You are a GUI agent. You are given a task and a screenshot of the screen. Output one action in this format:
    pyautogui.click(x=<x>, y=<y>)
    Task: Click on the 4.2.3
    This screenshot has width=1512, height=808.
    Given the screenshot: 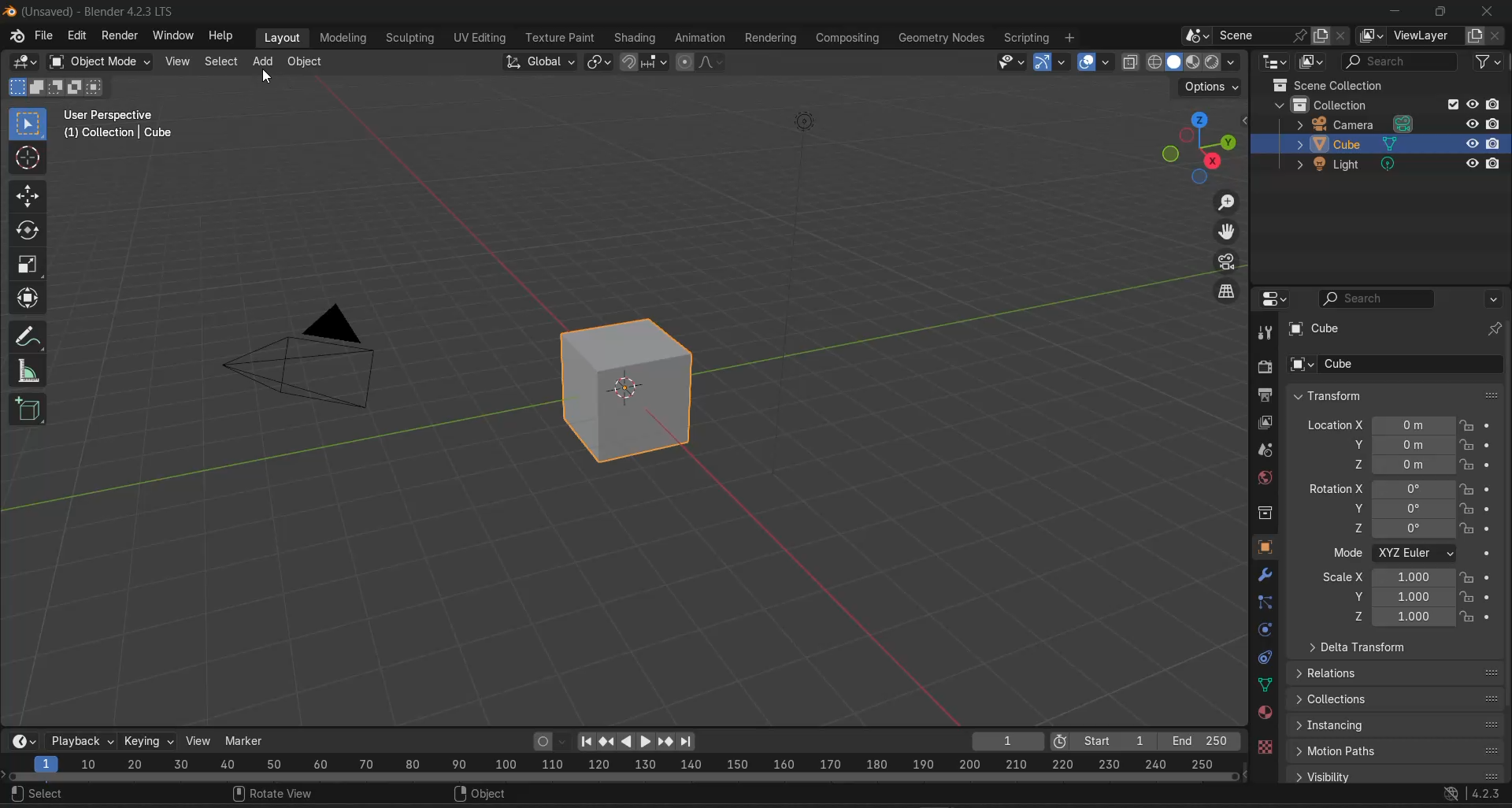 What is the action you would take?
    pyautogui.click(x=1488, y=794)
    